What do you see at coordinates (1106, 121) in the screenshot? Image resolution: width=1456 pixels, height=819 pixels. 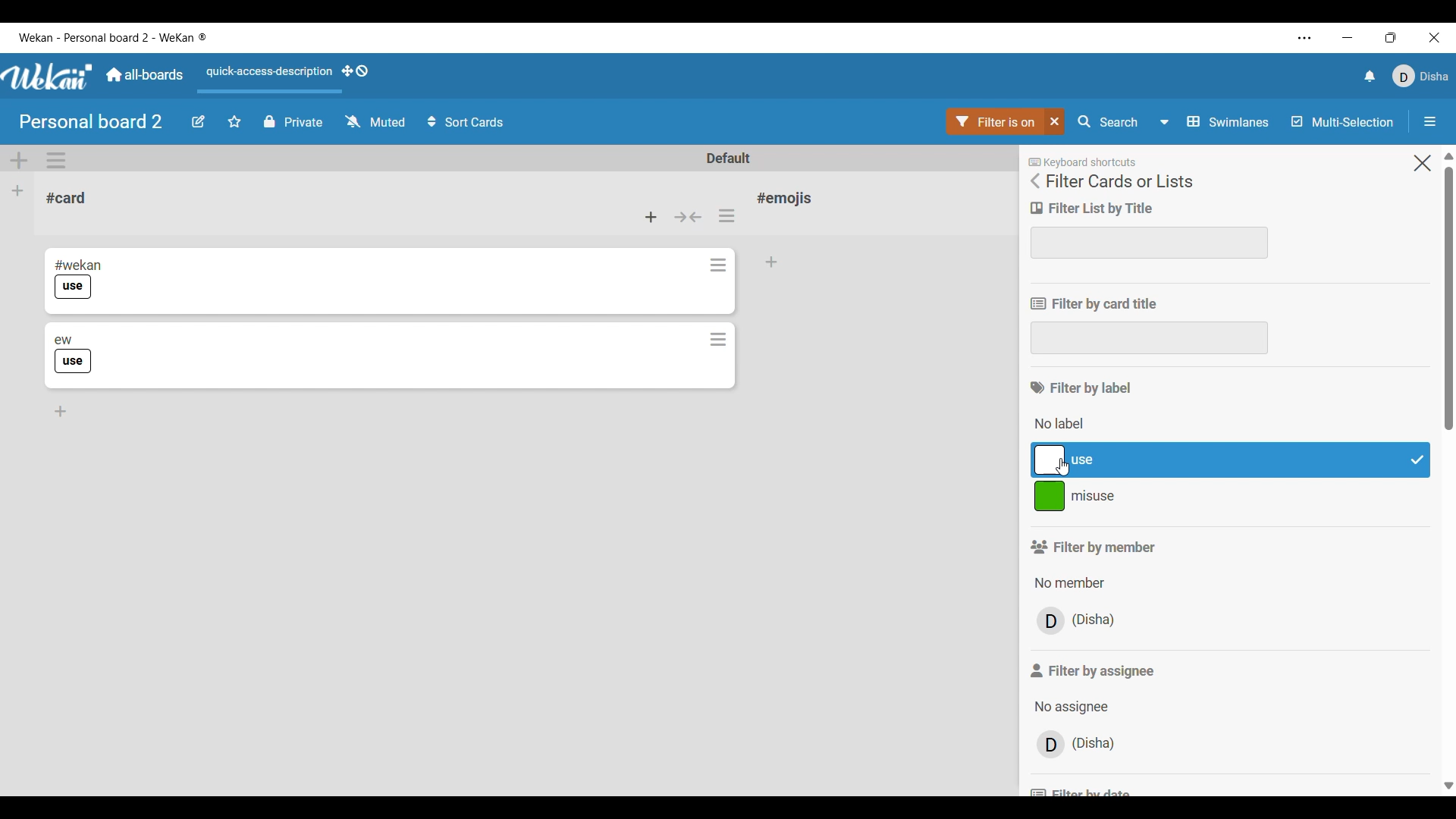 I see `Search` at bounding box center [1106, 121].